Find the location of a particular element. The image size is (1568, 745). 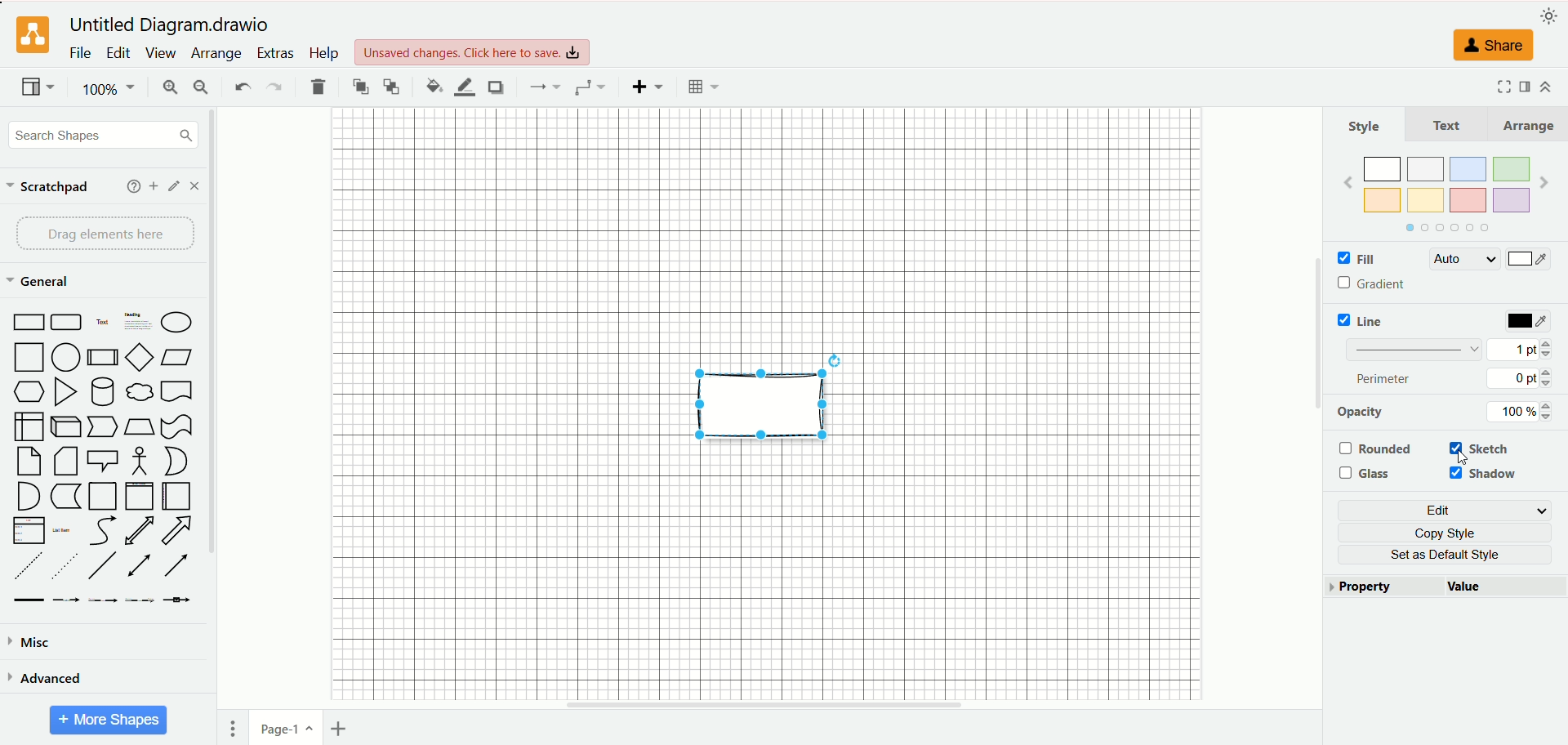

arrange is located at coordinates (218, 54).